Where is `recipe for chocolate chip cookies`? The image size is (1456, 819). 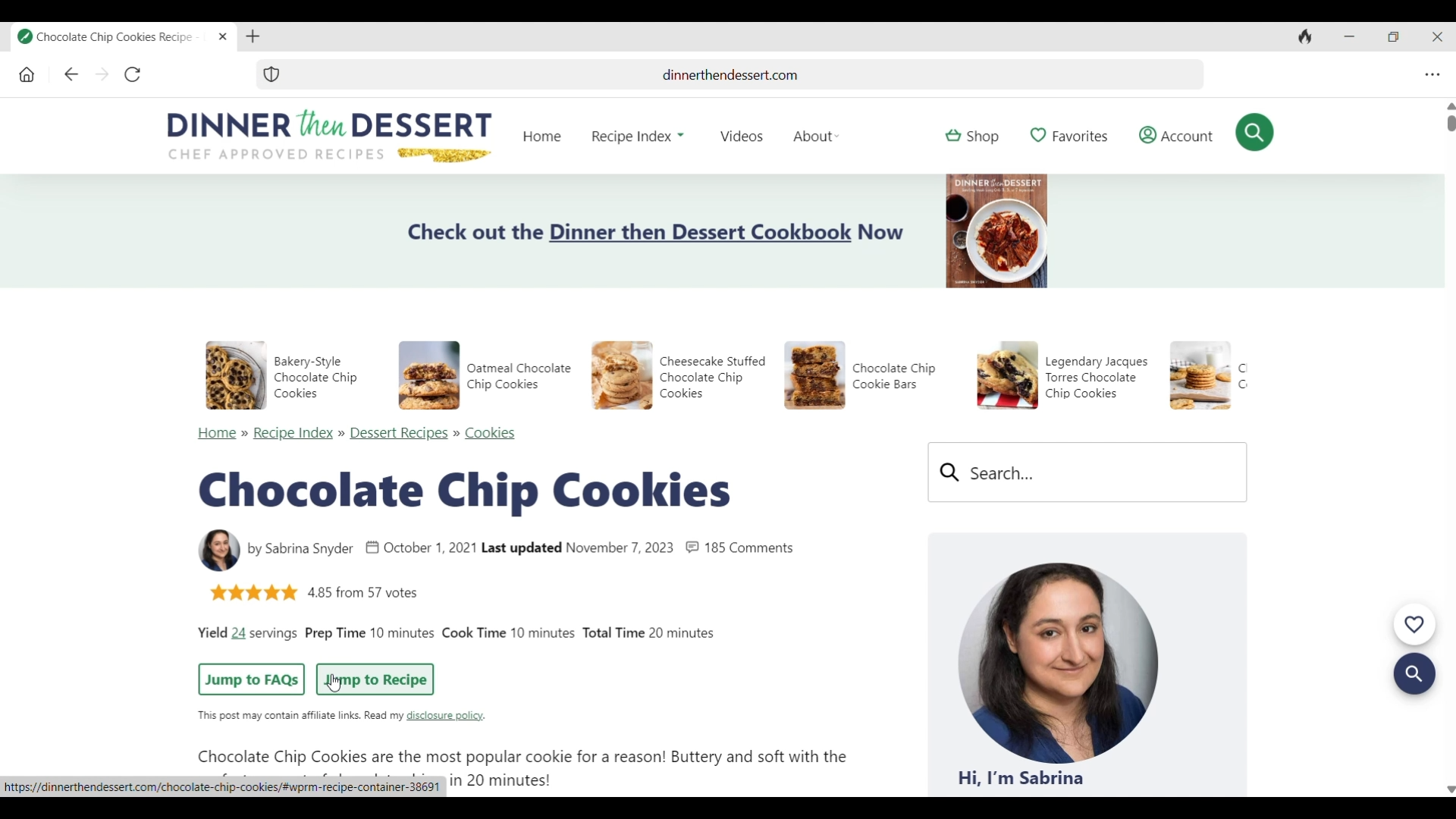
recipe for chocolate chip cookies is located at coordinates (113, 37).